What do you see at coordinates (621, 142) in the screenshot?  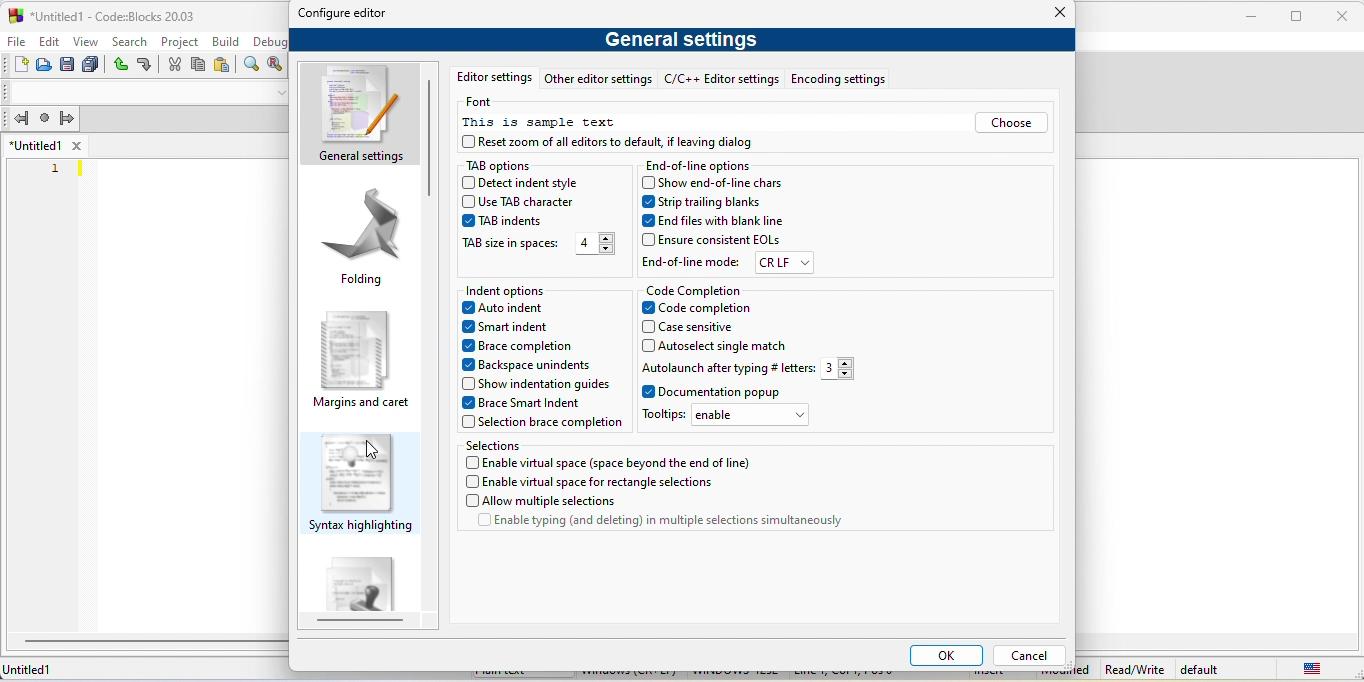 I see `reset of all editors to default if leaving dialog` at bounding box center [621, 142].